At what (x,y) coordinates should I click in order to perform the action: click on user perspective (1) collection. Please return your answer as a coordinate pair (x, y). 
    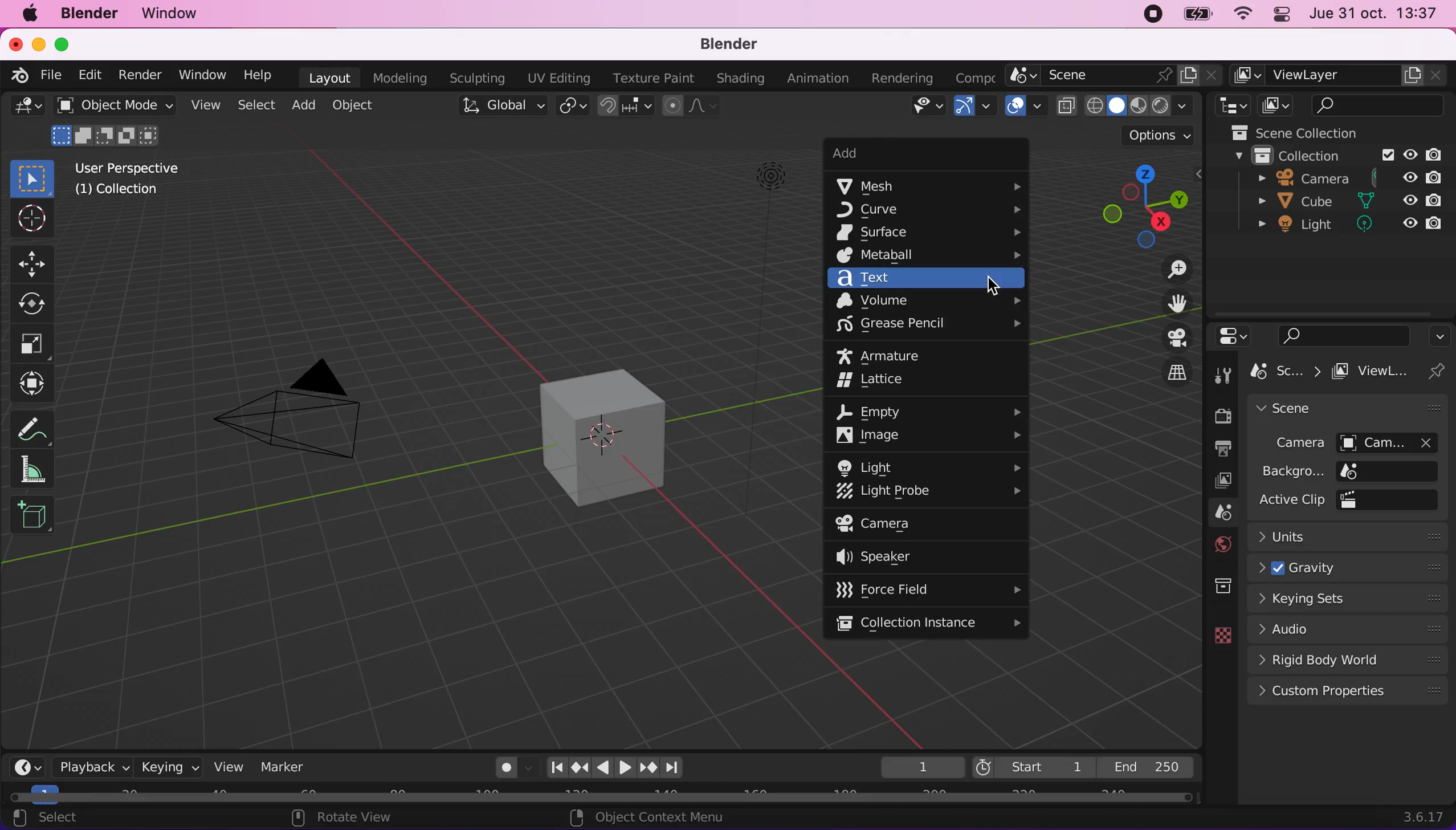
    Looking at the image, I should click on (137, 180).